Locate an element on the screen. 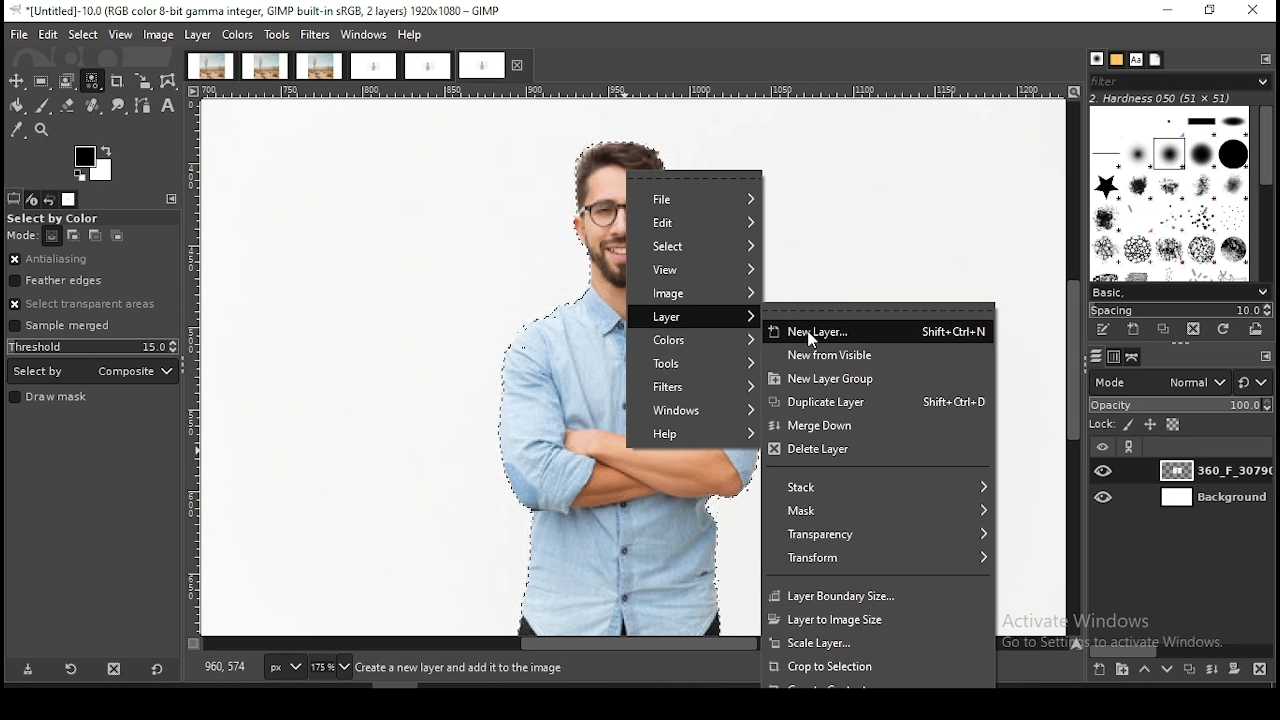 The height and width of the screenshot is (720, 1280). layer to image size is located at coordinates (876, 619).